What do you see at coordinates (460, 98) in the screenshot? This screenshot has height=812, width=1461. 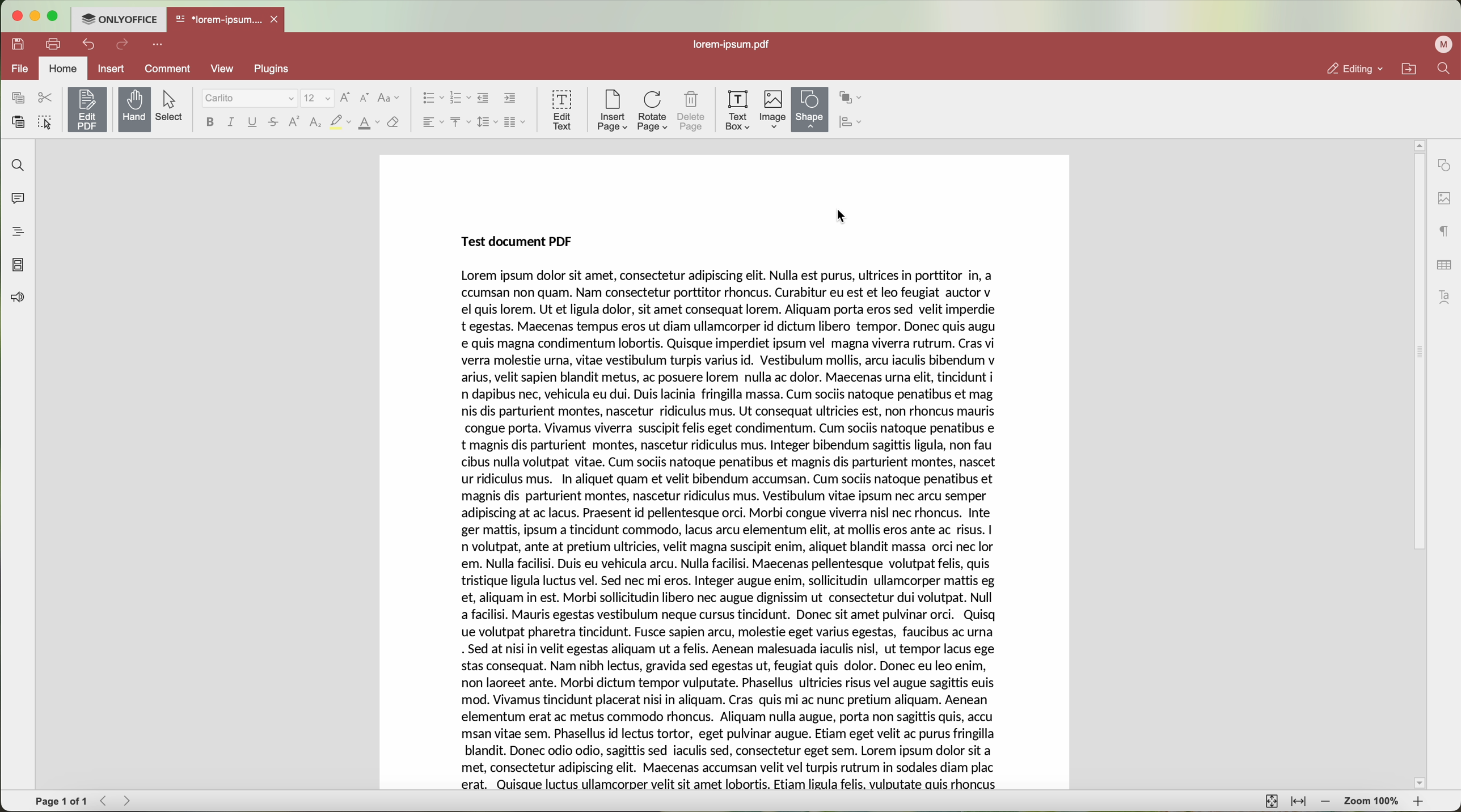 I see `numbered list` at bounding box center [460, 98].